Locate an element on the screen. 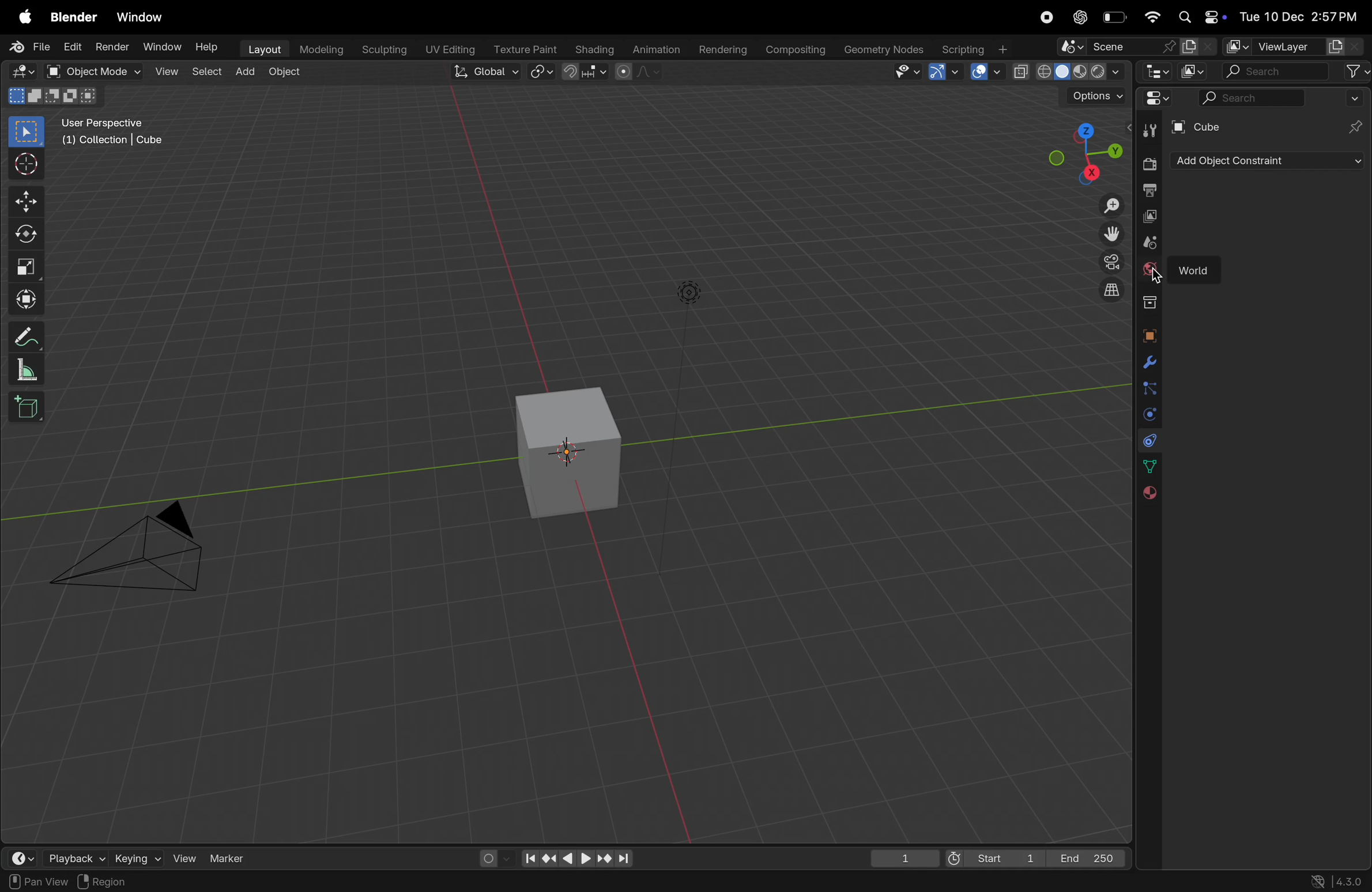 The height and width of the screenshot is (892, 1372). material is located at coordinates (1148, 494).